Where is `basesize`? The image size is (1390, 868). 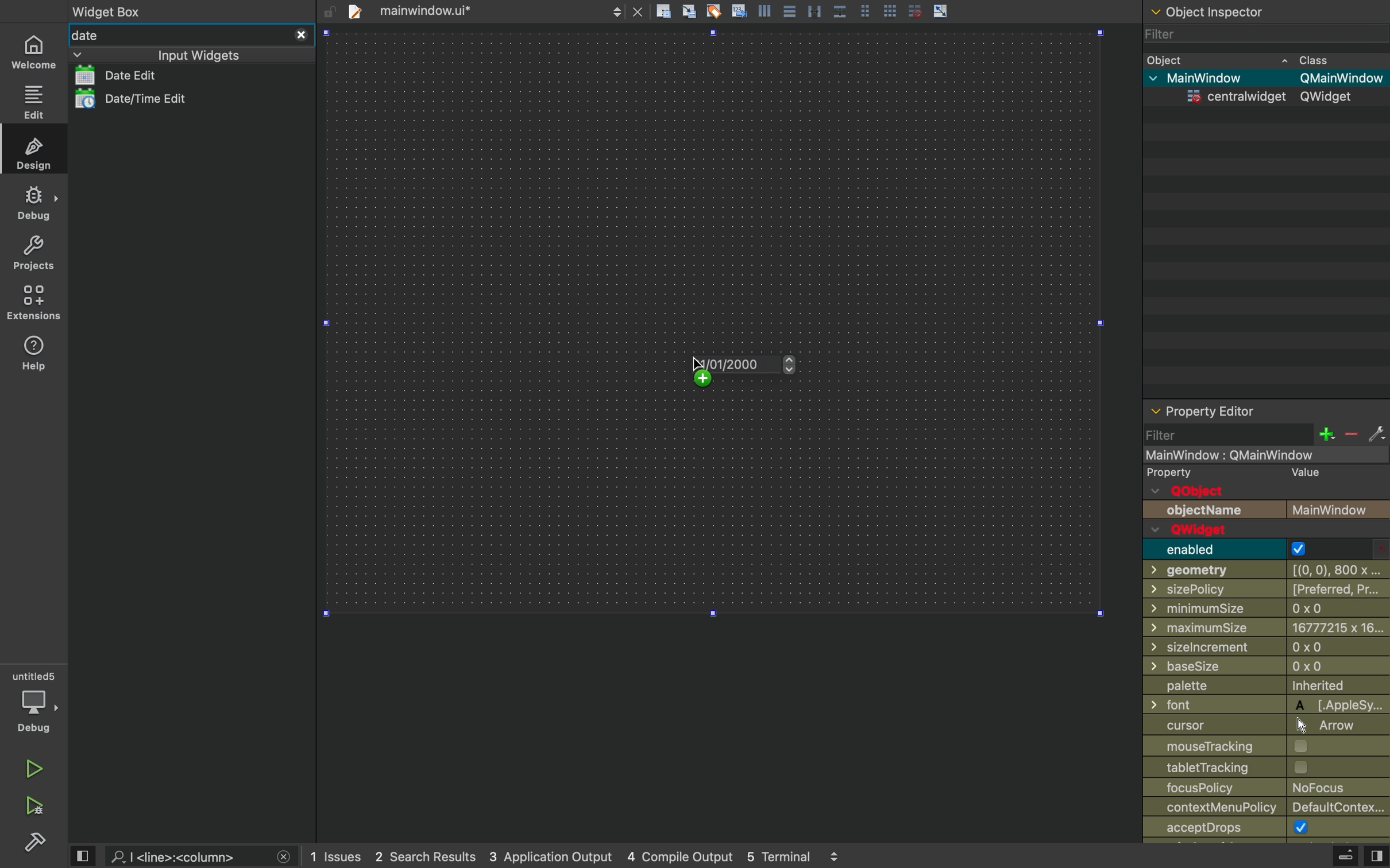 basesize is located at coordinates (1261, 666).